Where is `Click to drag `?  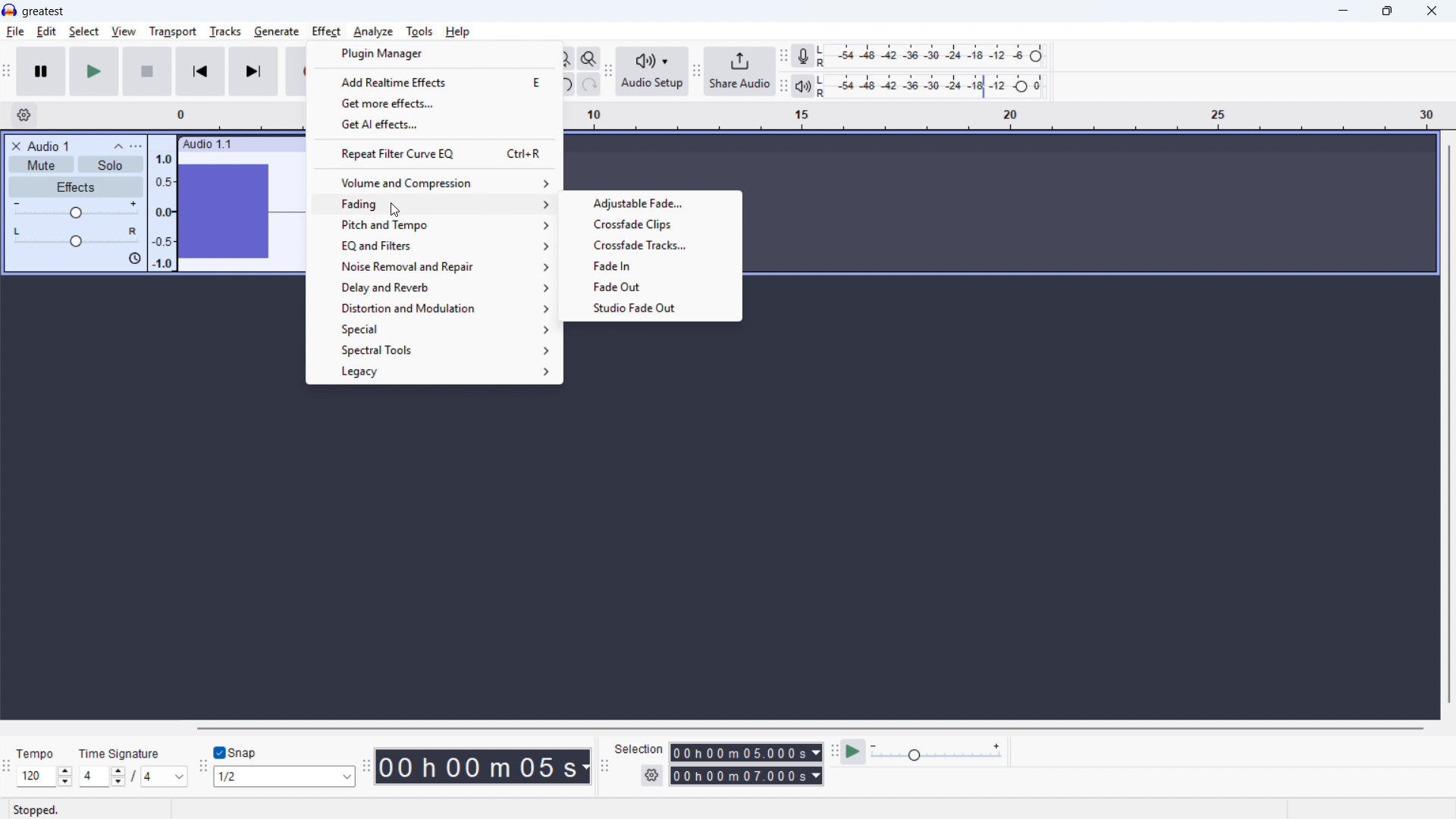
Click to drag  is located at coordinates (270, 143).